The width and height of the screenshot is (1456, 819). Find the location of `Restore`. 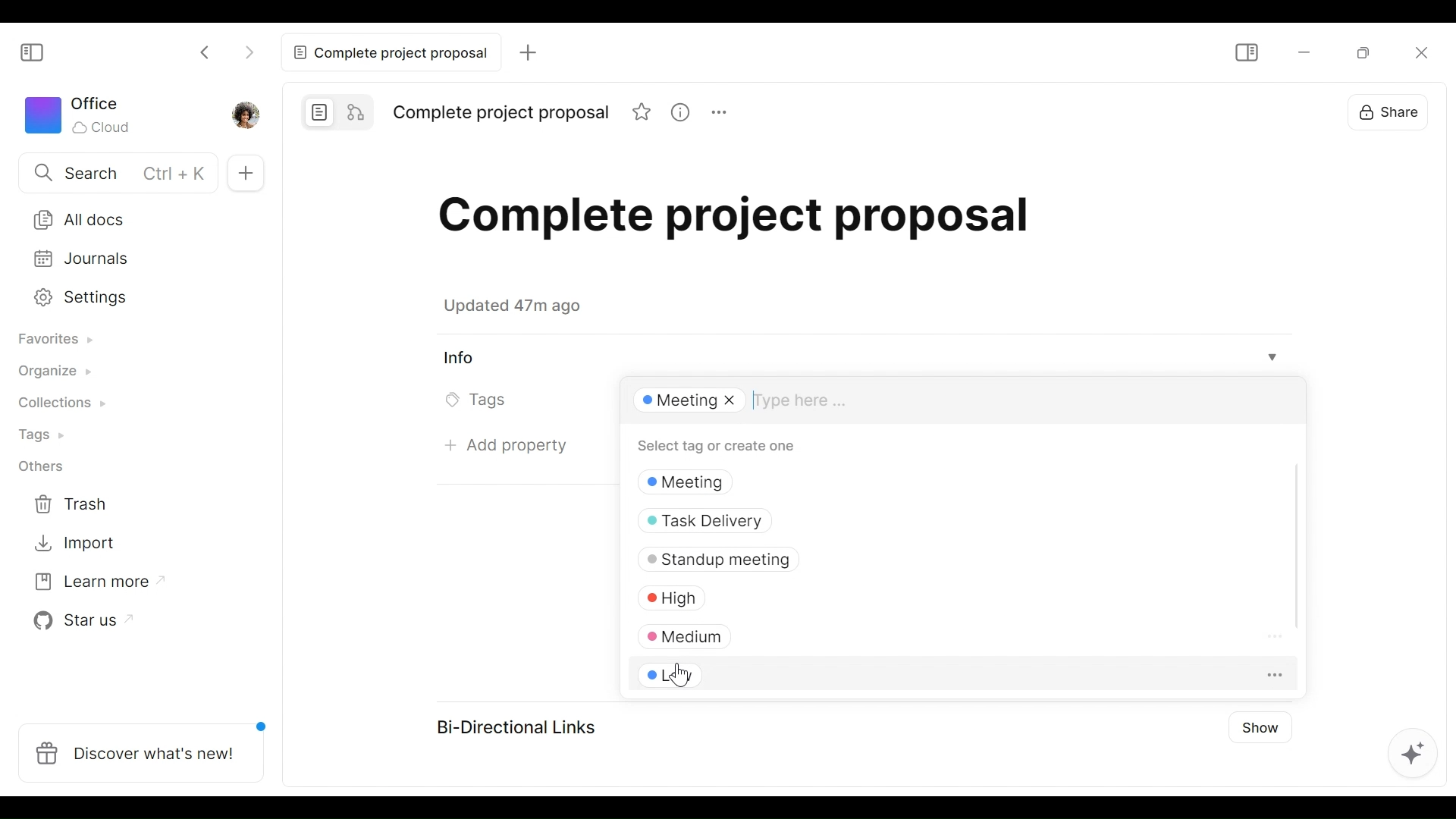

Restore is located at coordinates (1367, 52).